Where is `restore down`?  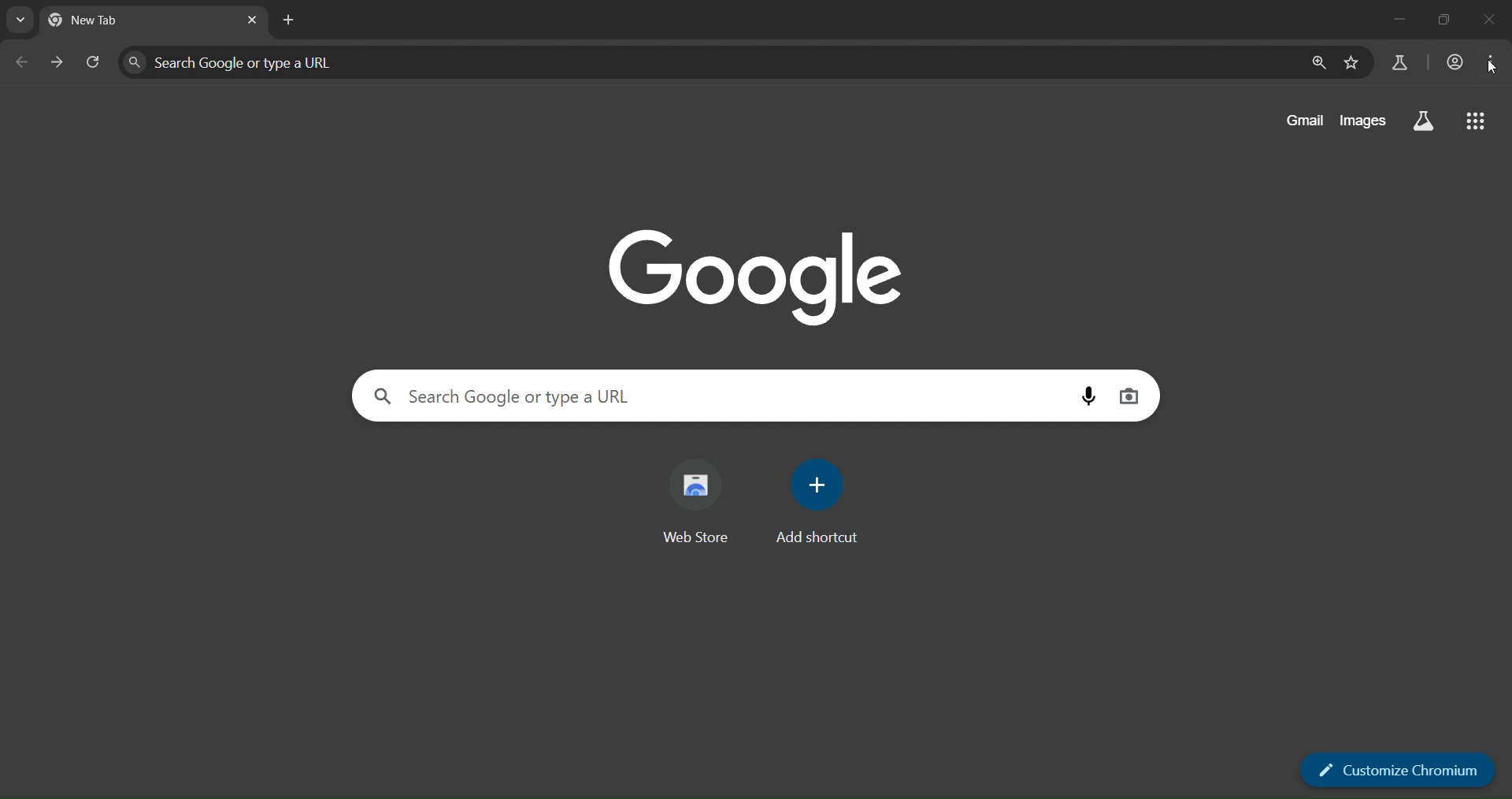 restore down is located at coordinates (1447, 20).